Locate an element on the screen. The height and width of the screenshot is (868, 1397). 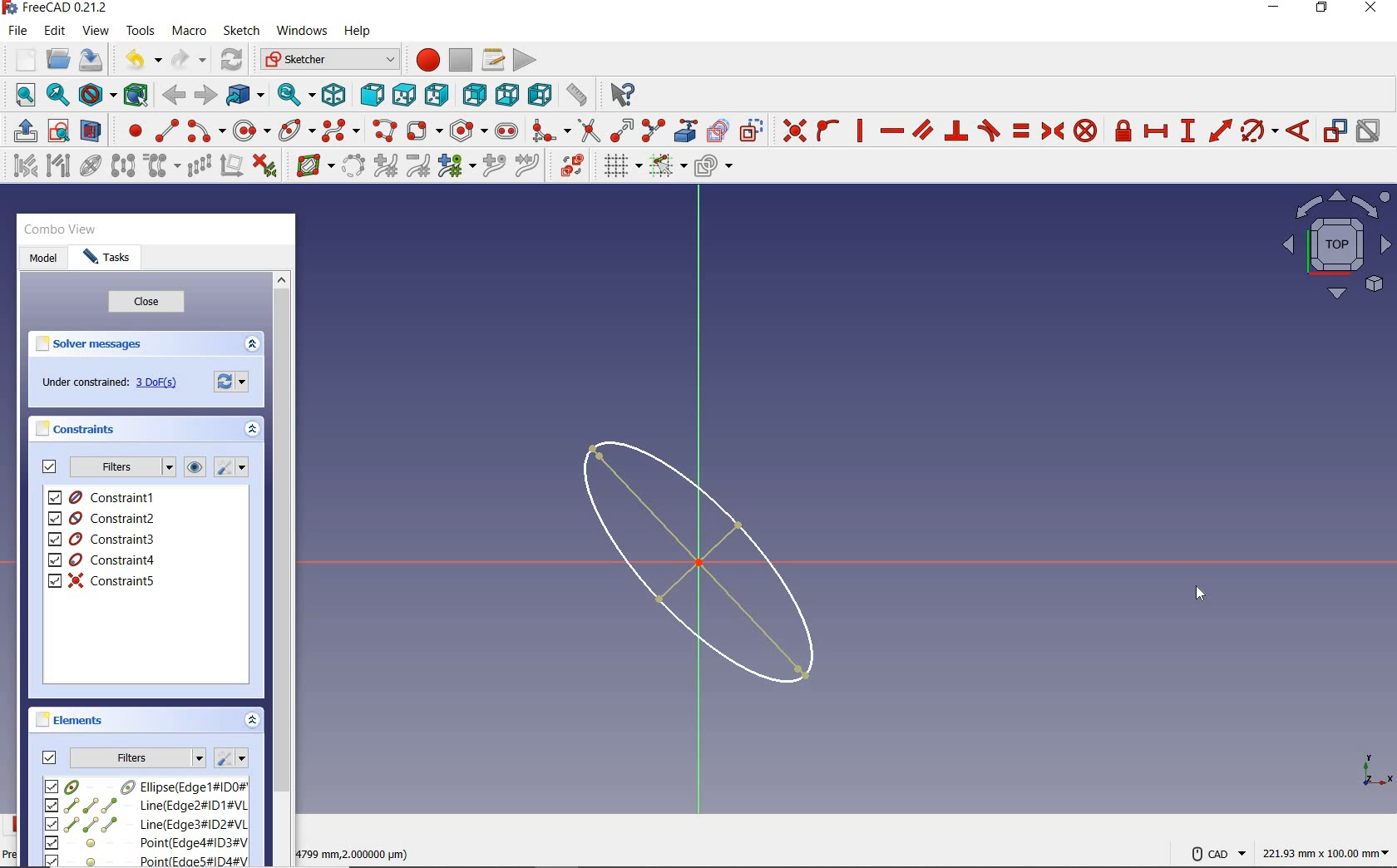
element5 is located at coordinates (147, 860).